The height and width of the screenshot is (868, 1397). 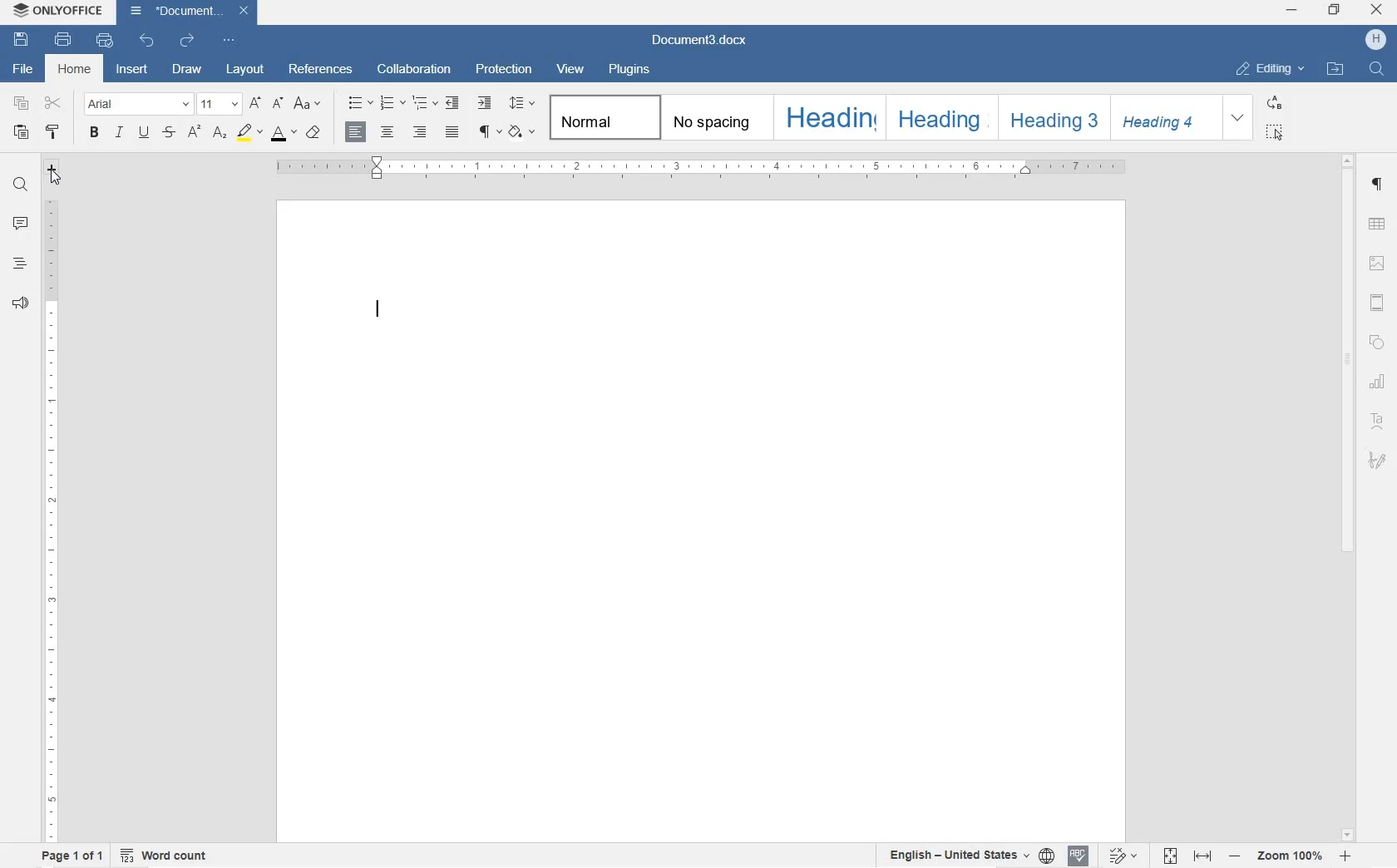 I want to click on BULLET, so click(x=357, y=104).